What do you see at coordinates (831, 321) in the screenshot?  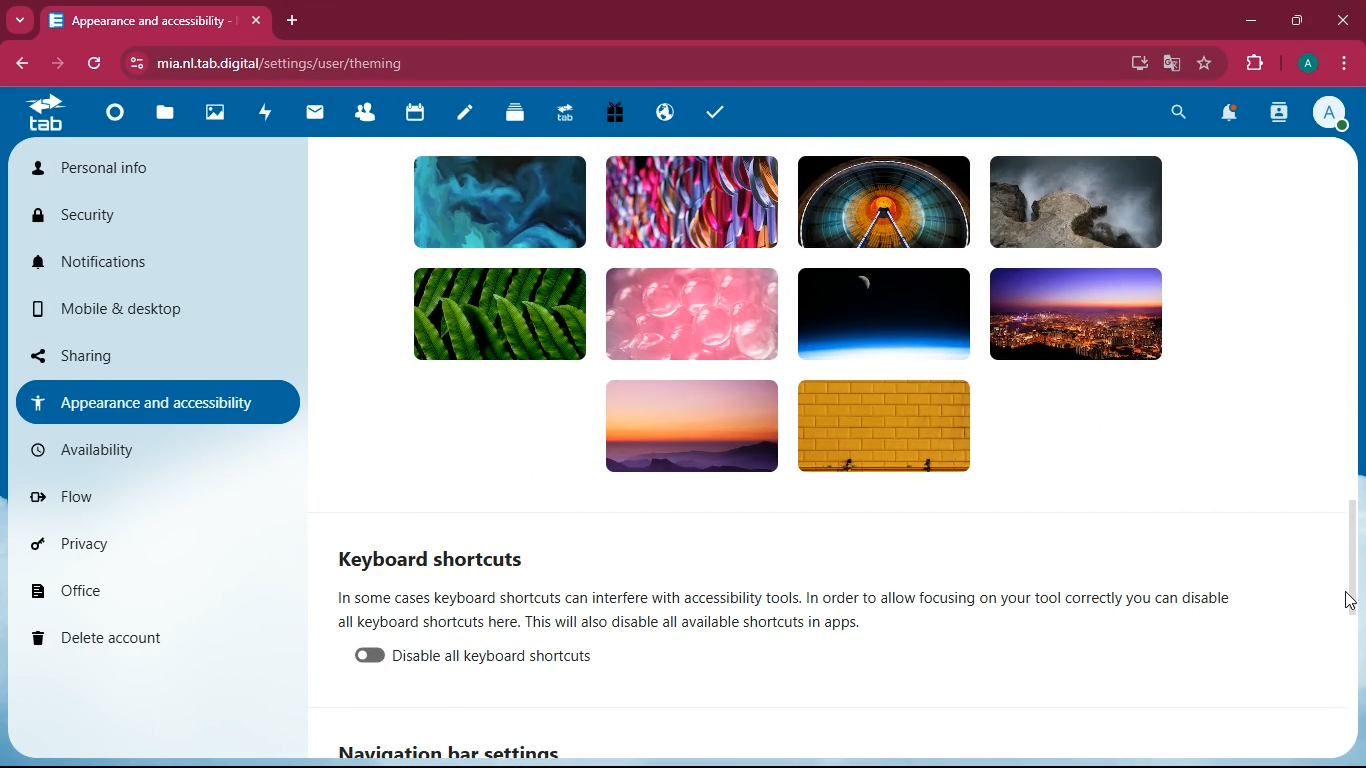 I see `background` at bounding box center [831, 321].